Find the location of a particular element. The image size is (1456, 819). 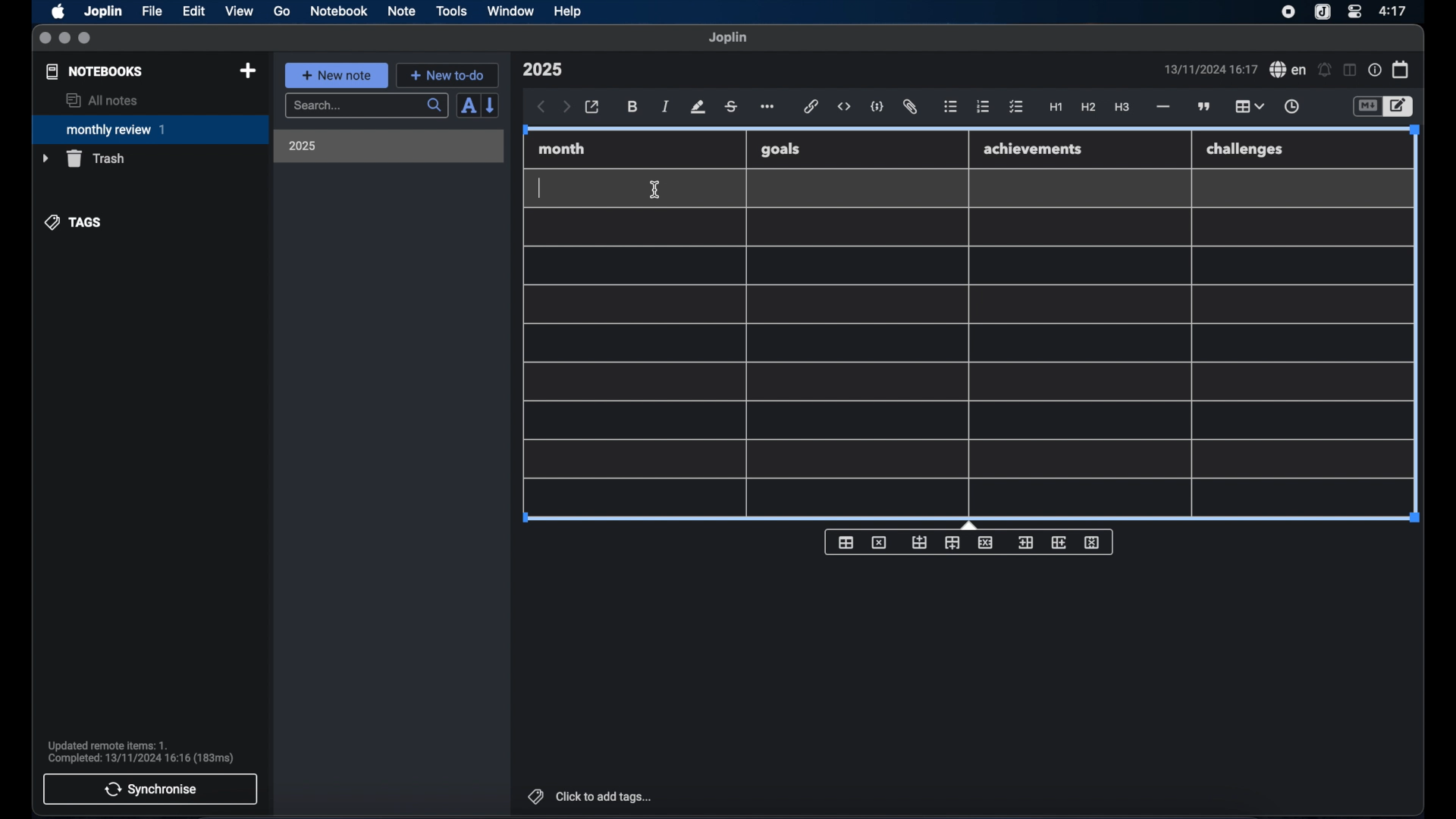

date is located at coordinates (1210, 69).